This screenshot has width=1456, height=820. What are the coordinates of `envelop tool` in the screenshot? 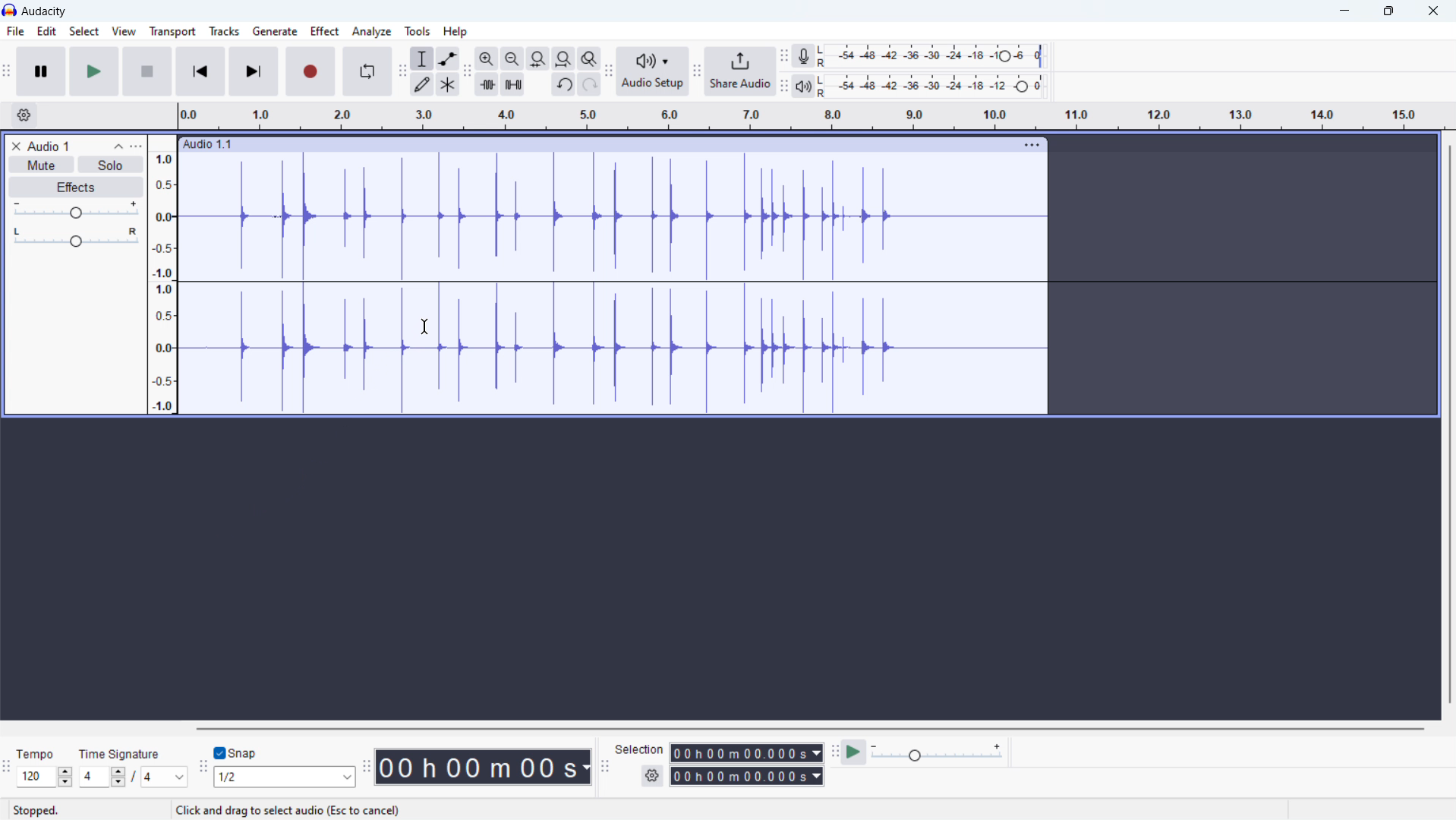 It's located at (449, 58).